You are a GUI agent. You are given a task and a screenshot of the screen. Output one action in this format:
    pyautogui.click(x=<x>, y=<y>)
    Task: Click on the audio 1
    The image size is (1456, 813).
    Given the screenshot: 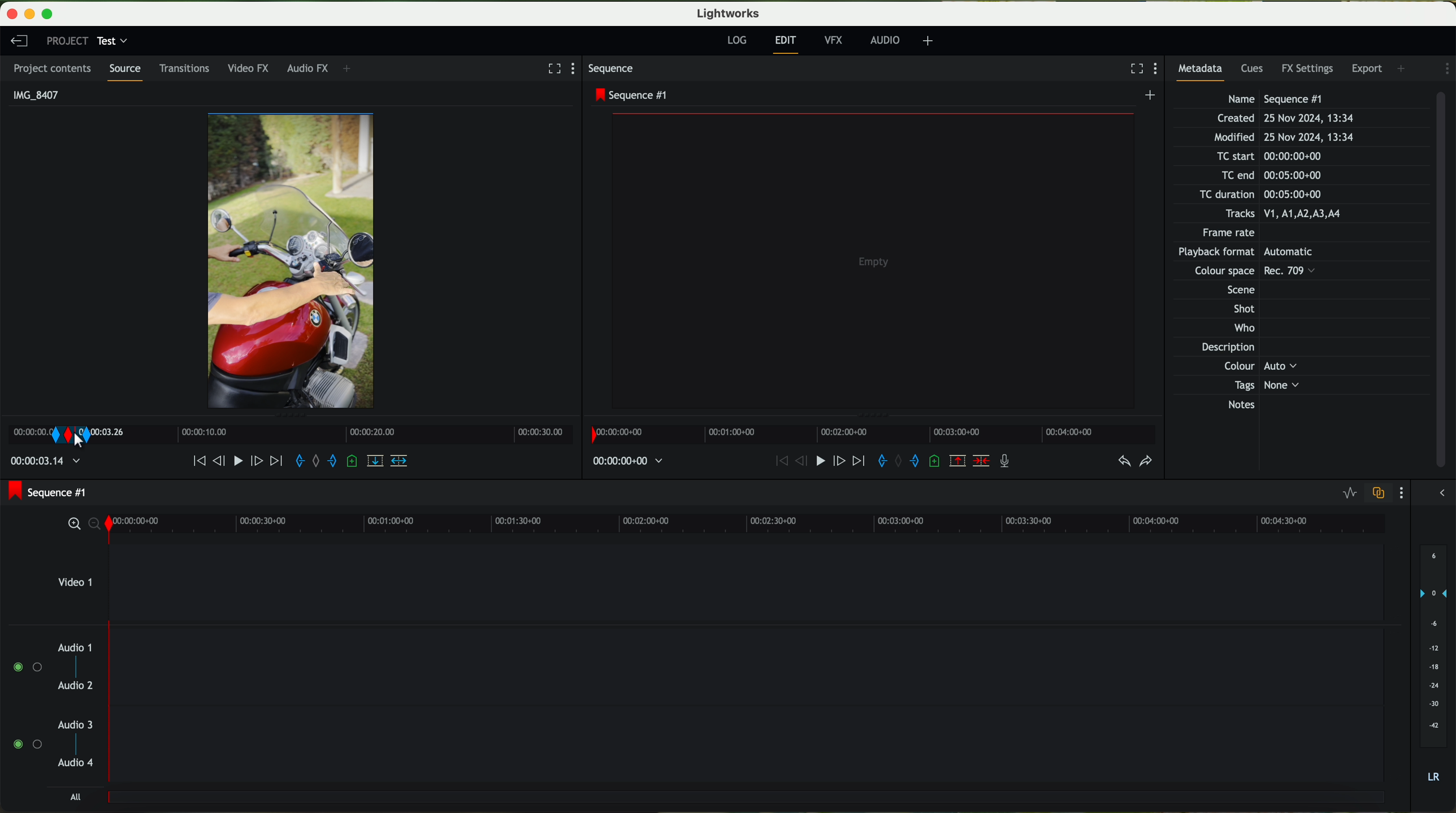 What is the action you would take?
    pyautogui.click(x=75, y=647)
    